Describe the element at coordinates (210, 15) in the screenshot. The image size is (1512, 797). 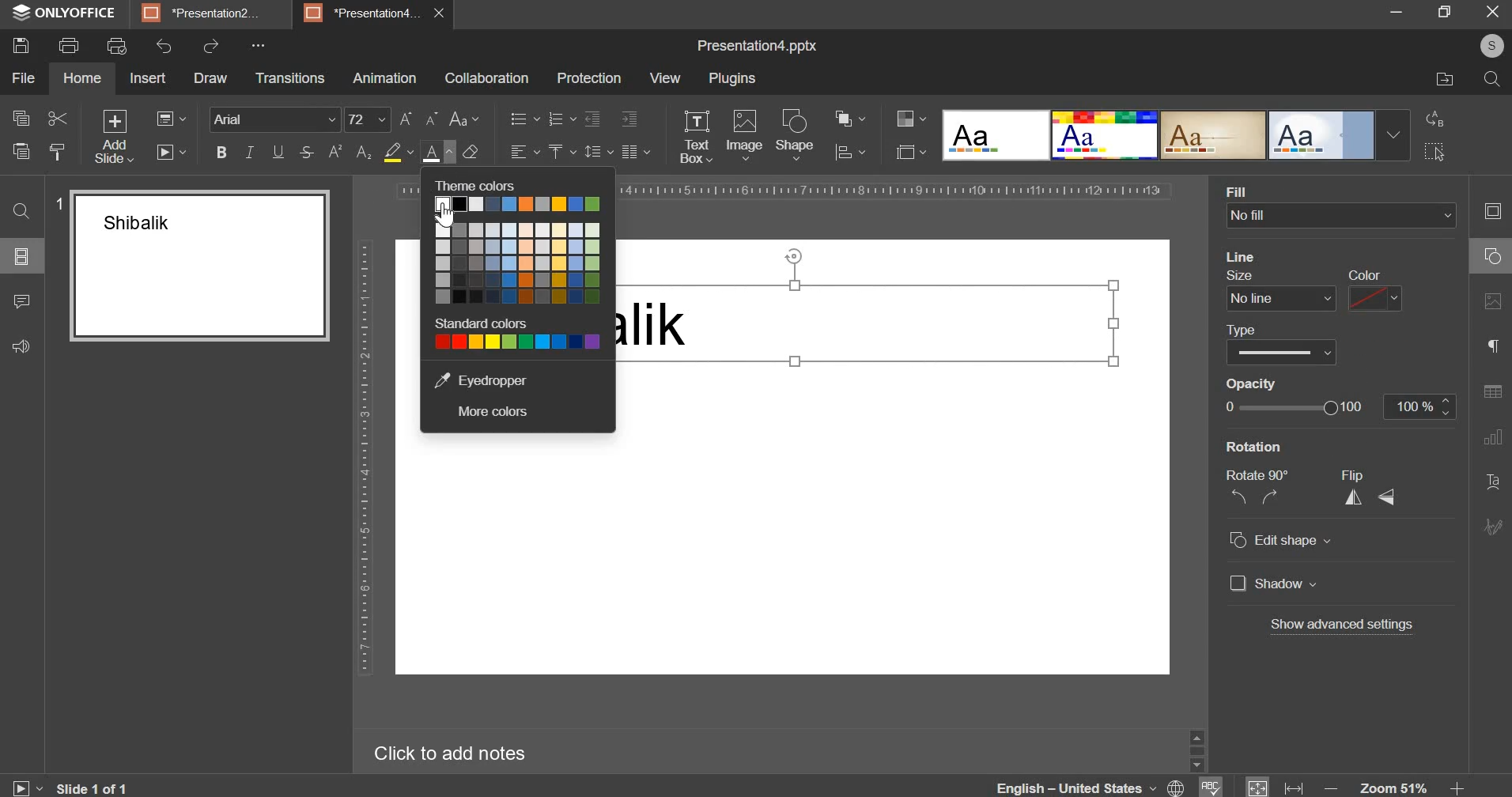
I see `Presentation2` at that location.